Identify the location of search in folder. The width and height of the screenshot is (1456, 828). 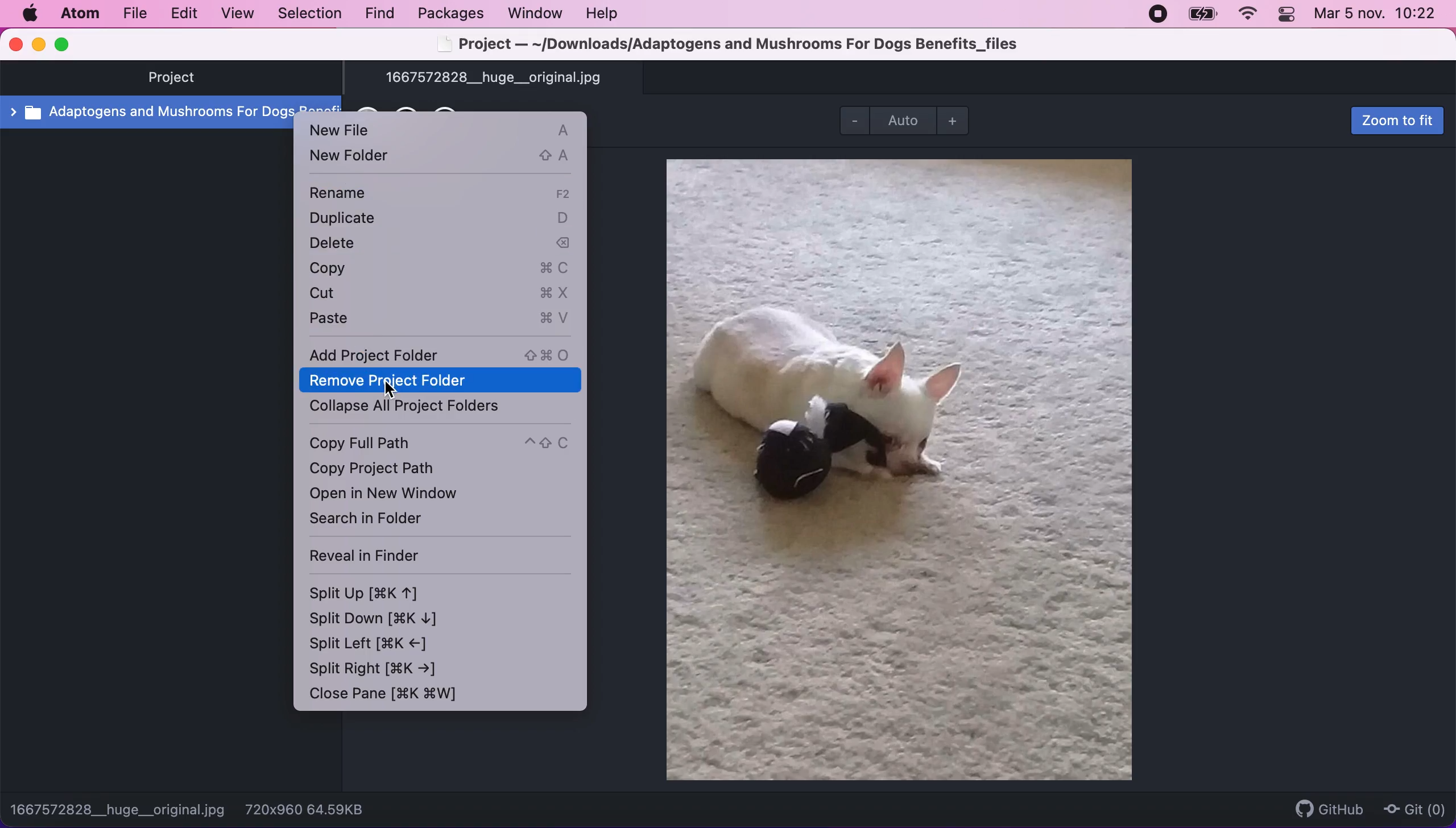
(390, 521).